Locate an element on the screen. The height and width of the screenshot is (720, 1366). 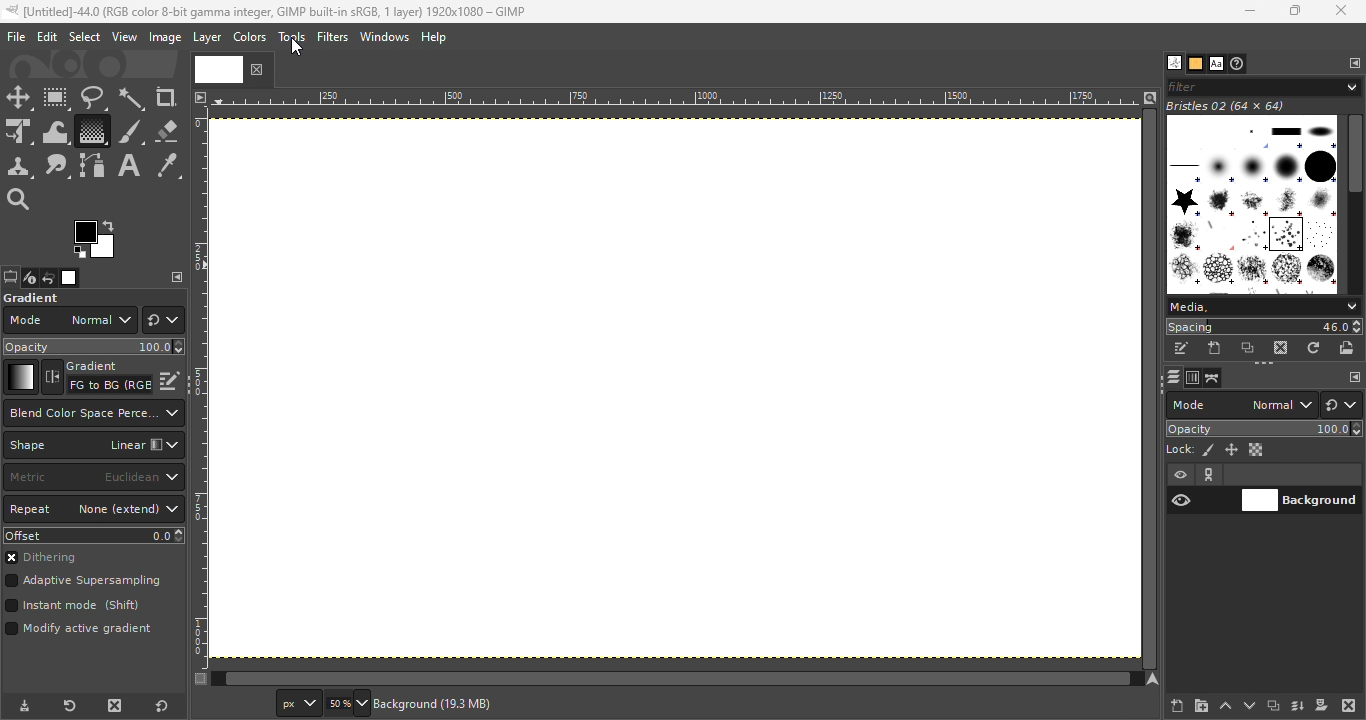
Current file is located at coordinates (233, 68).